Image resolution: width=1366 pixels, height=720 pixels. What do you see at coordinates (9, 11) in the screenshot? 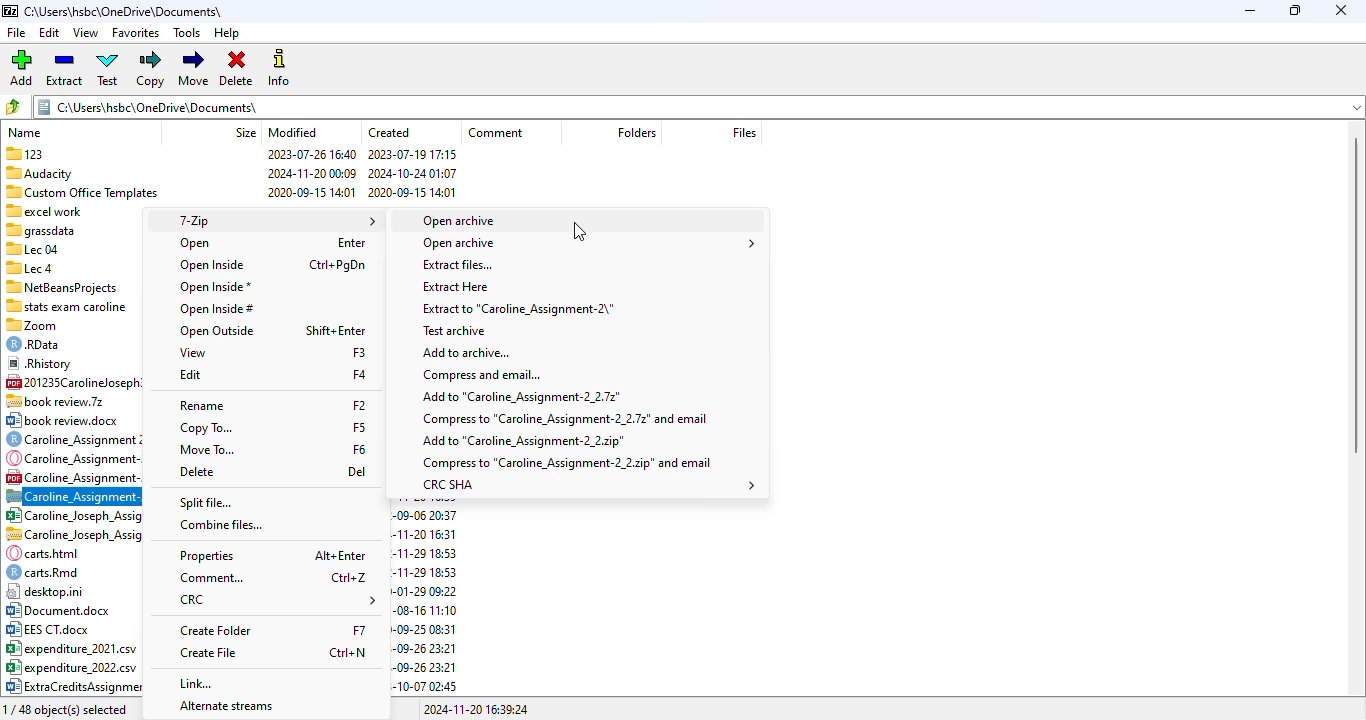
I see `logo` at bounding box center [9, 11].